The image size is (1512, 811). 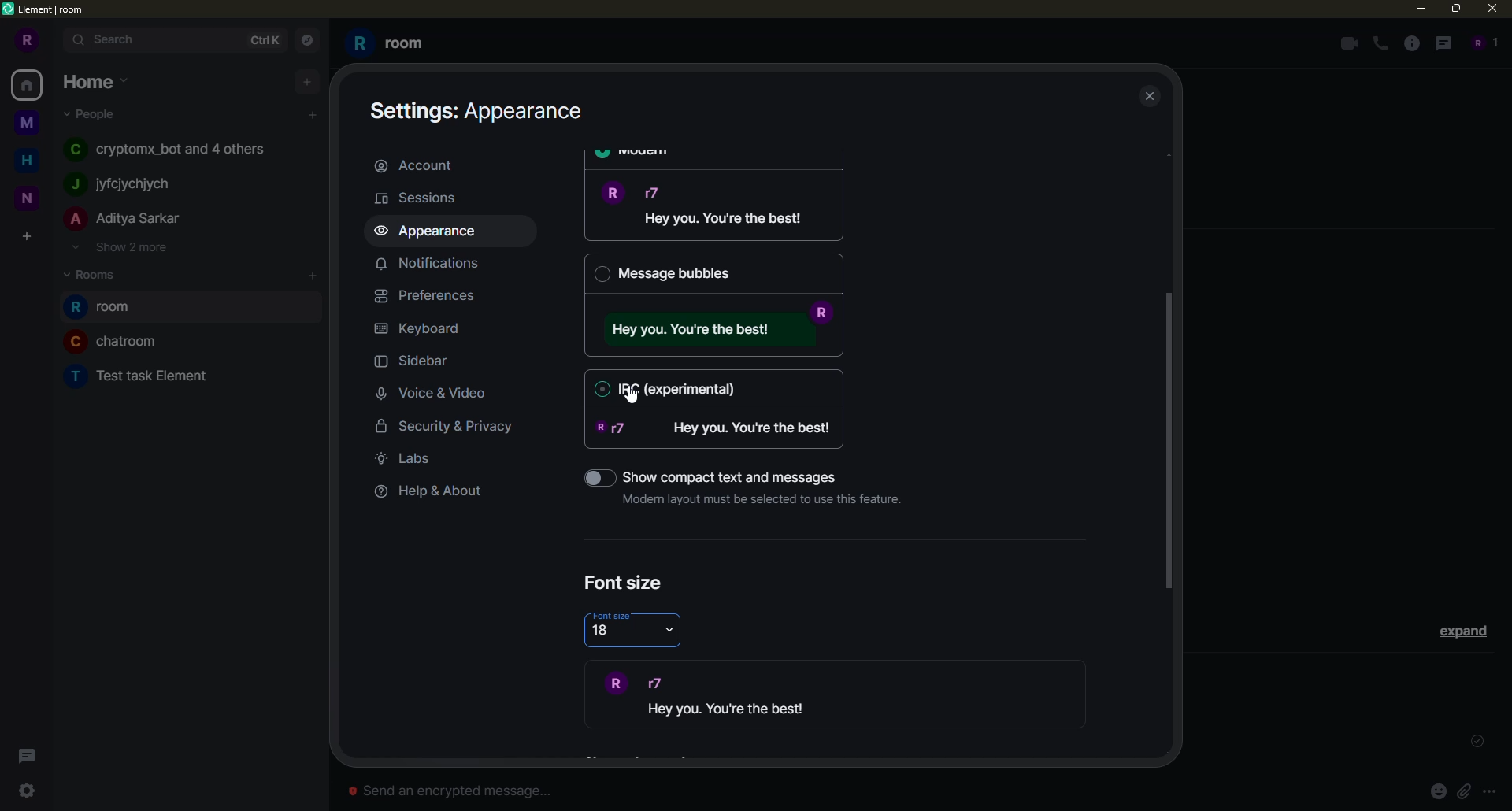 What do you see at coordinates (422, 265) in the screenshot?
I see `notifications` at bounding box center [422, 265].